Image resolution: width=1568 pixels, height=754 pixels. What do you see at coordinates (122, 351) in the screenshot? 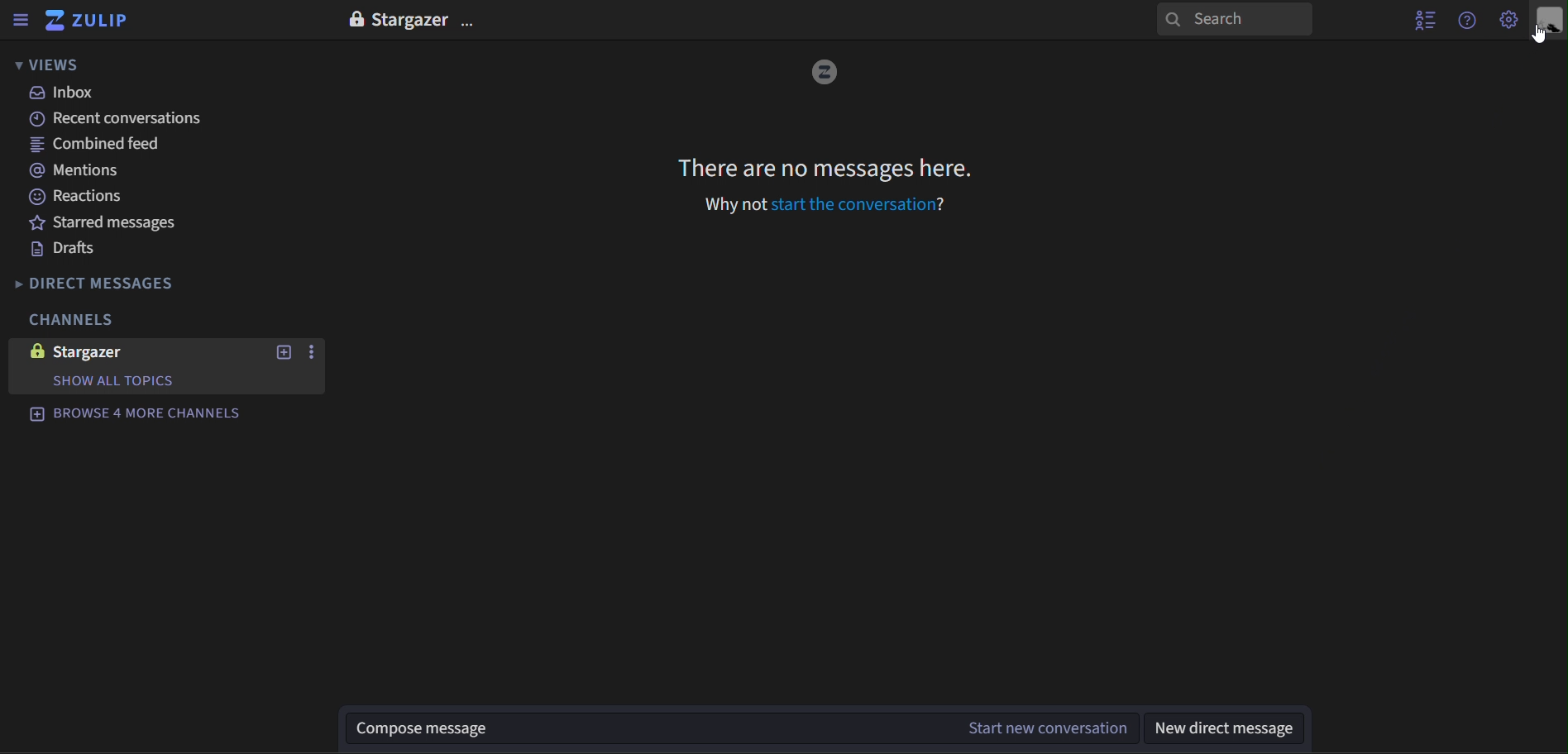
I see `stargazer` at bounding box center [122, 351].